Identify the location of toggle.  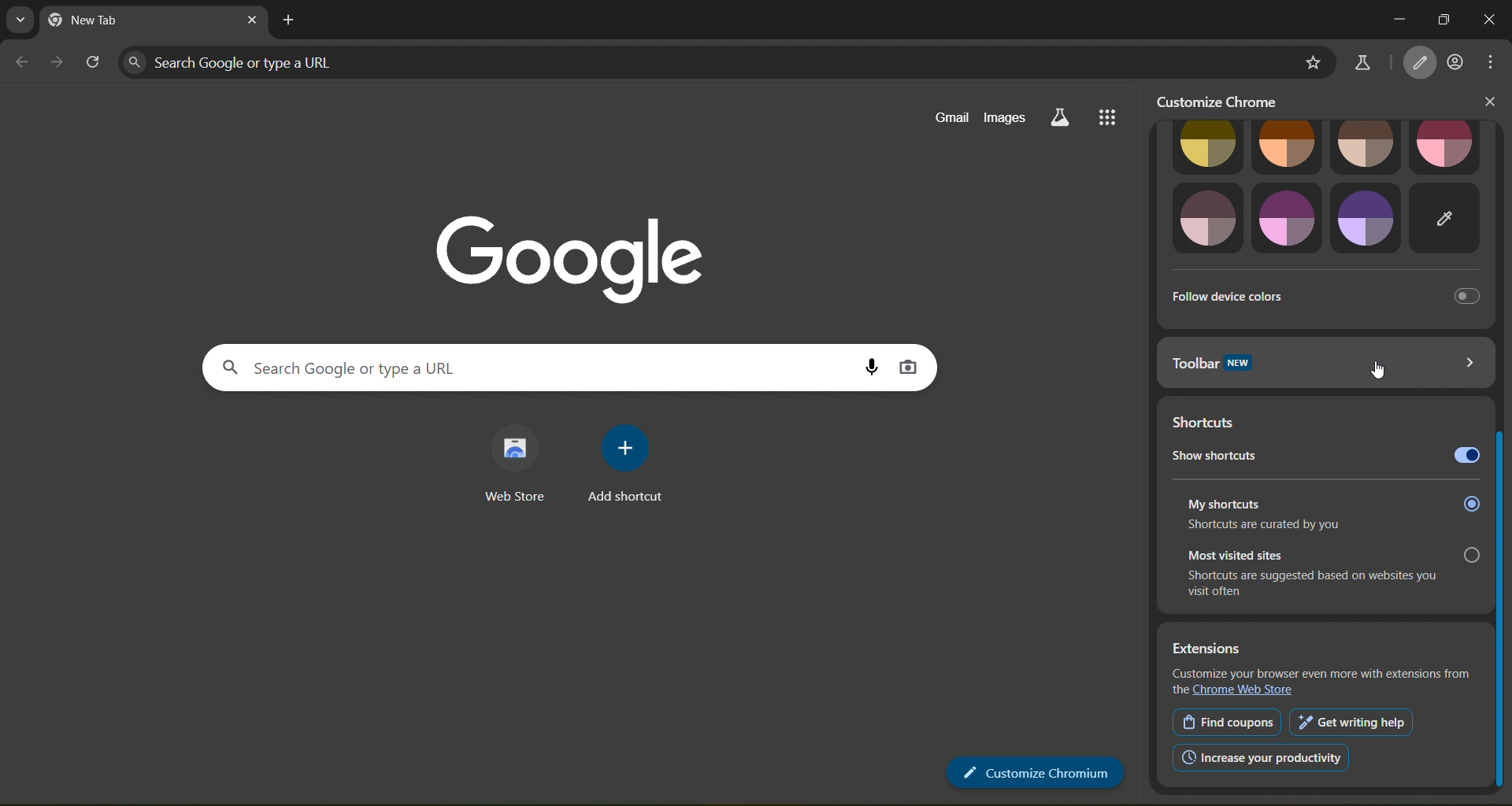
(1464, 457).